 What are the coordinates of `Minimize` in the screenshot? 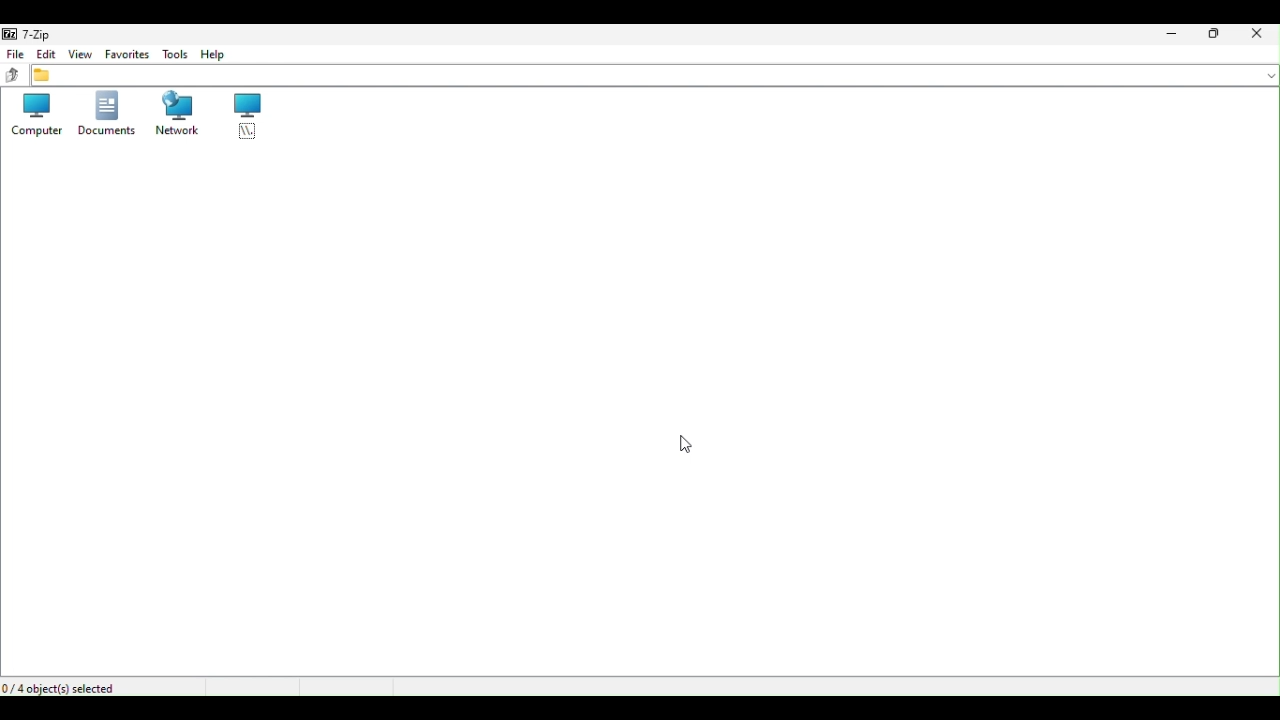 It's located at (1170, 37).